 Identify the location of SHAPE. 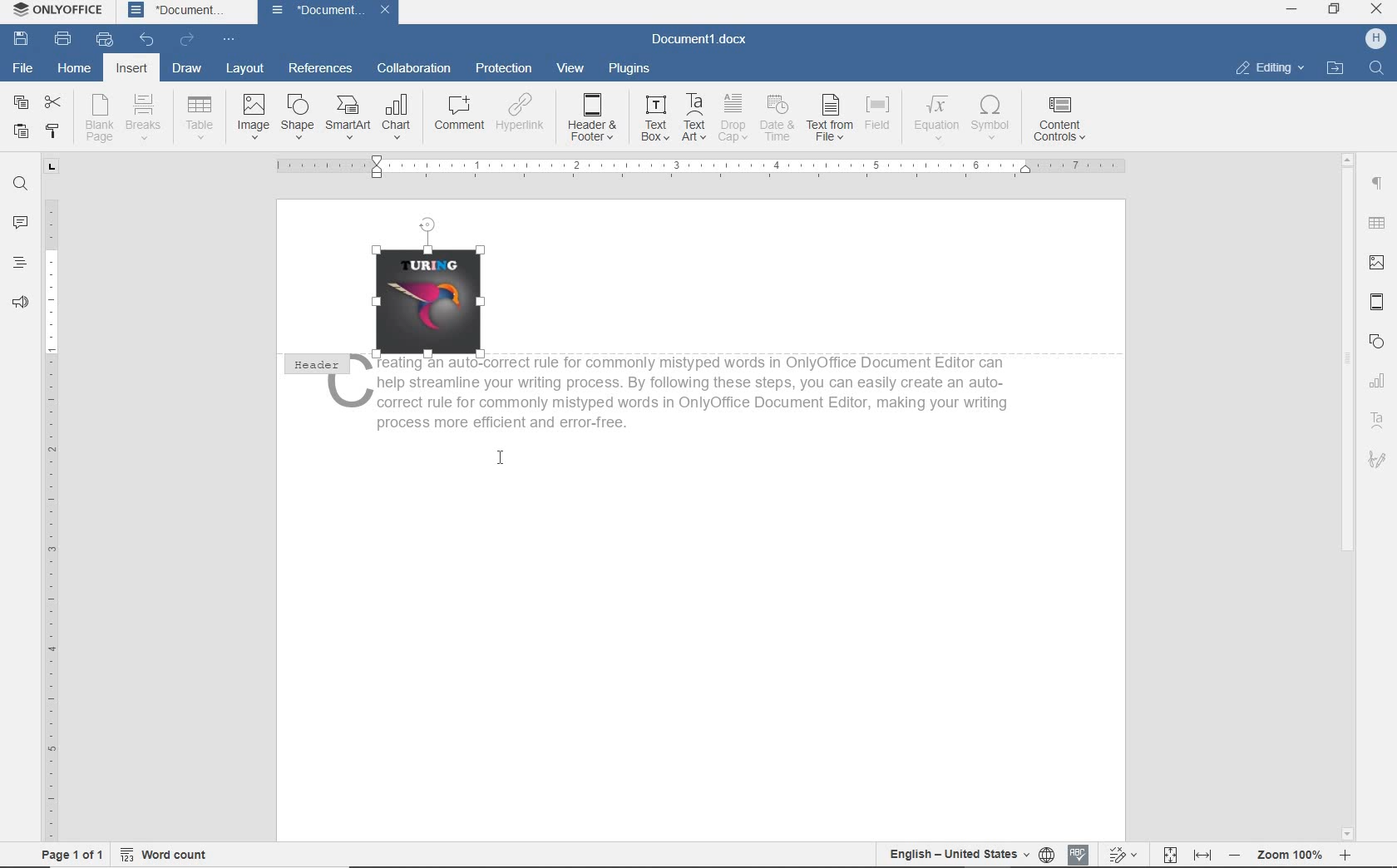
(1378, 343).